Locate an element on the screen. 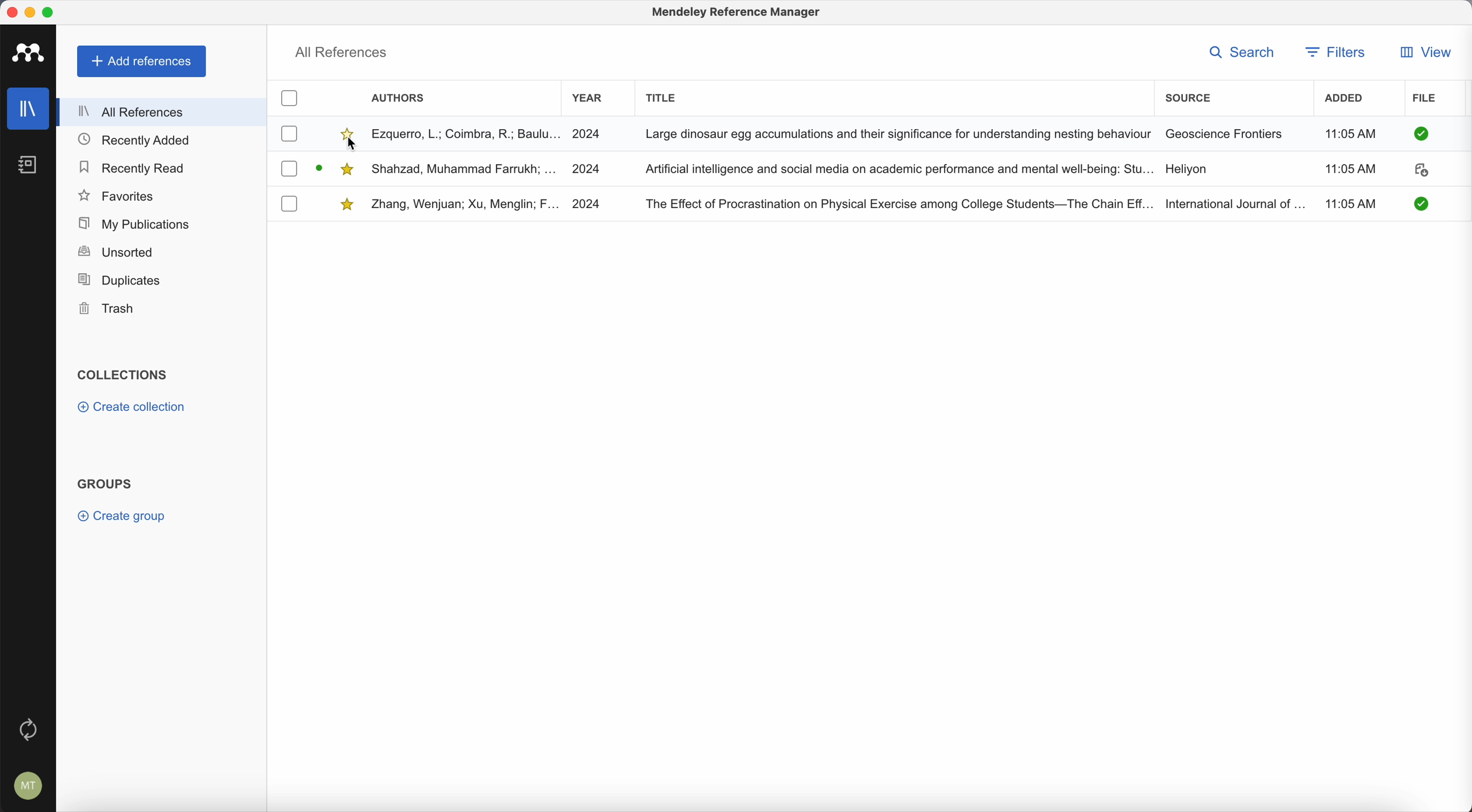 The width and height of the screenshot is (1472, 812). checkbox is located at coordinates (290, 169).